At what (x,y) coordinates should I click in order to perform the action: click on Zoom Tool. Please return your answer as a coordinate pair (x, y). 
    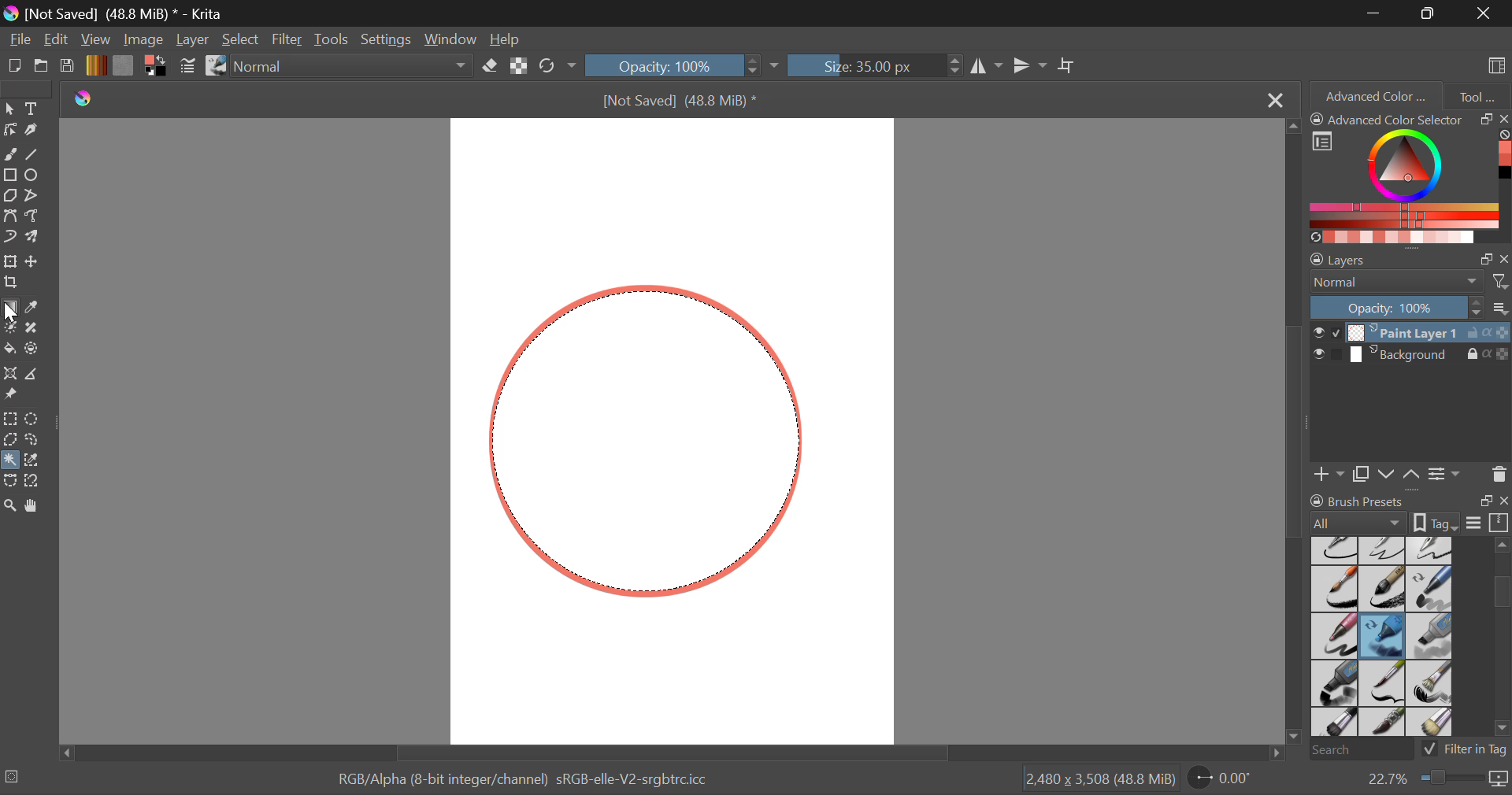
    Looking at the image, I should click on (10, 505).